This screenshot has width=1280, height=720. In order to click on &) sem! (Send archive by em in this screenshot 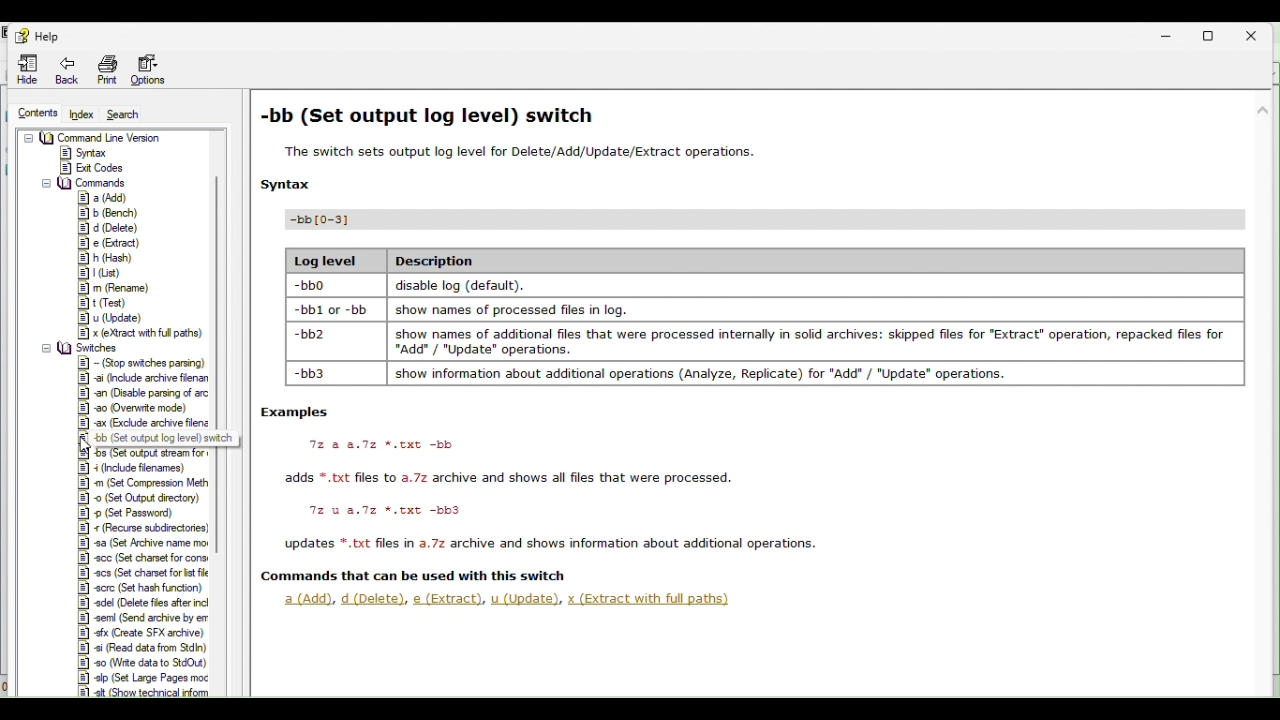, I will do `click(145, 619)`.